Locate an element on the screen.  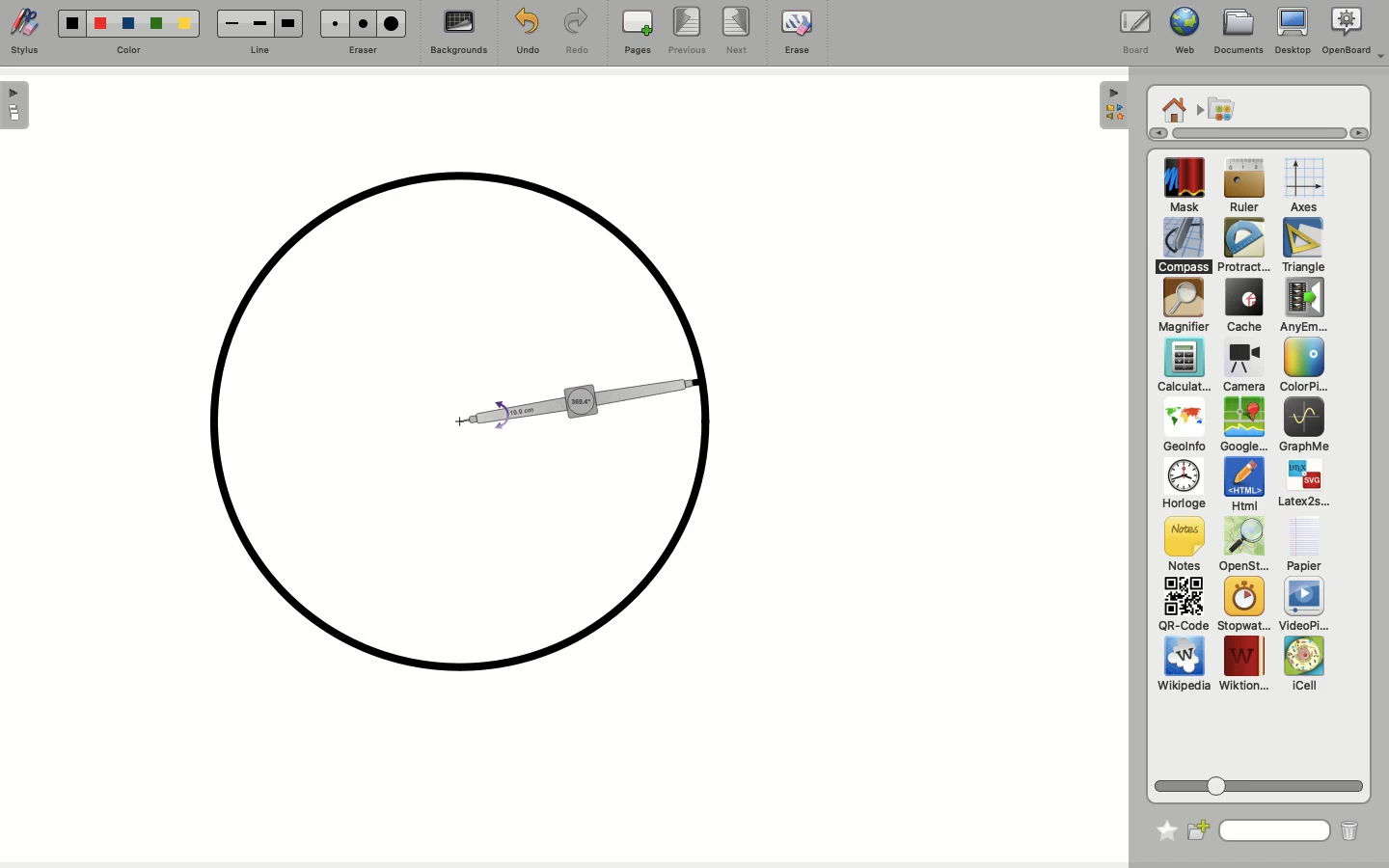
Papier is located at coordinates (1303, 543).